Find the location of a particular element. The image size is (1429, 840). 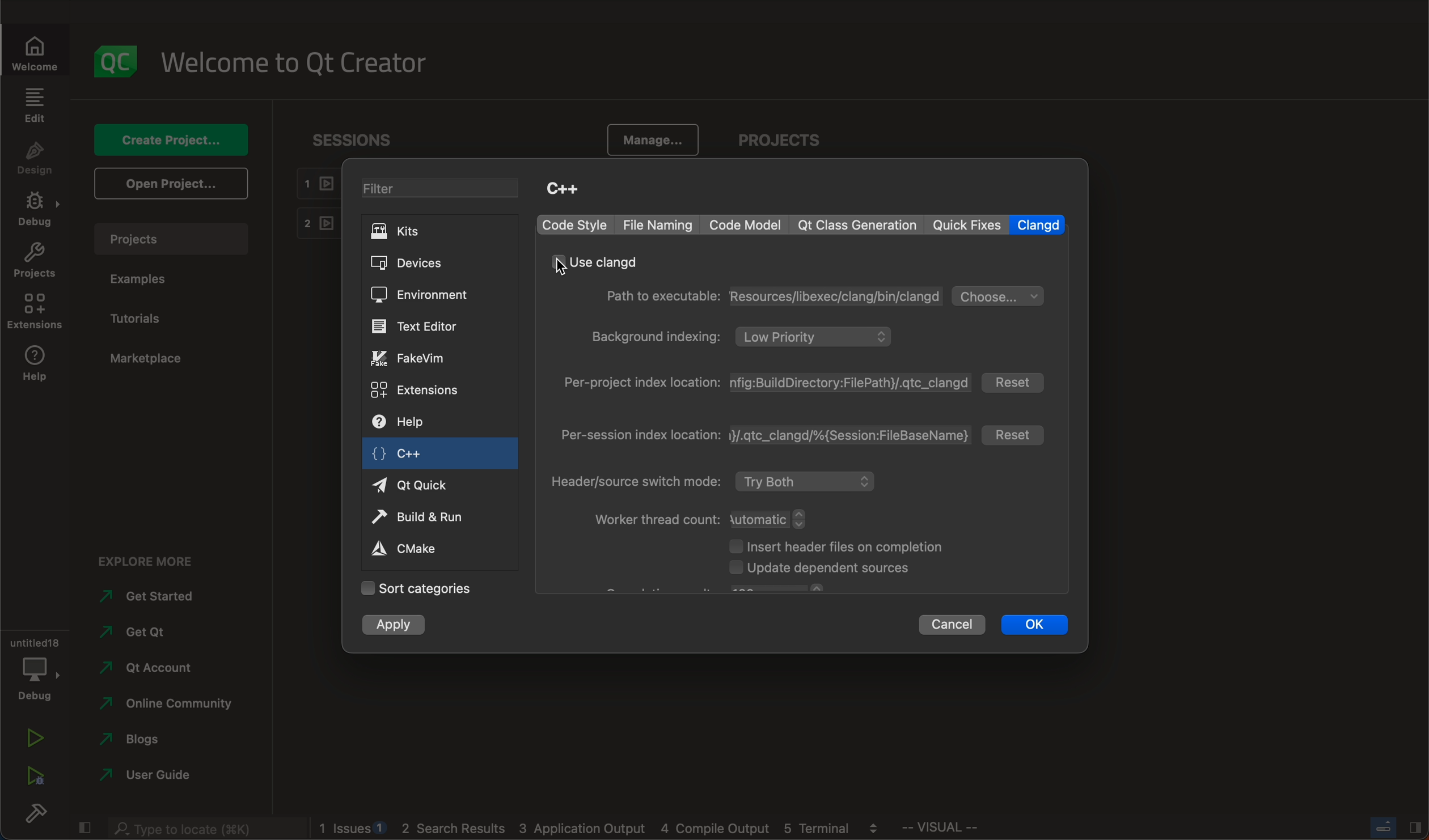

C++ is located at coordinates (568, 191).